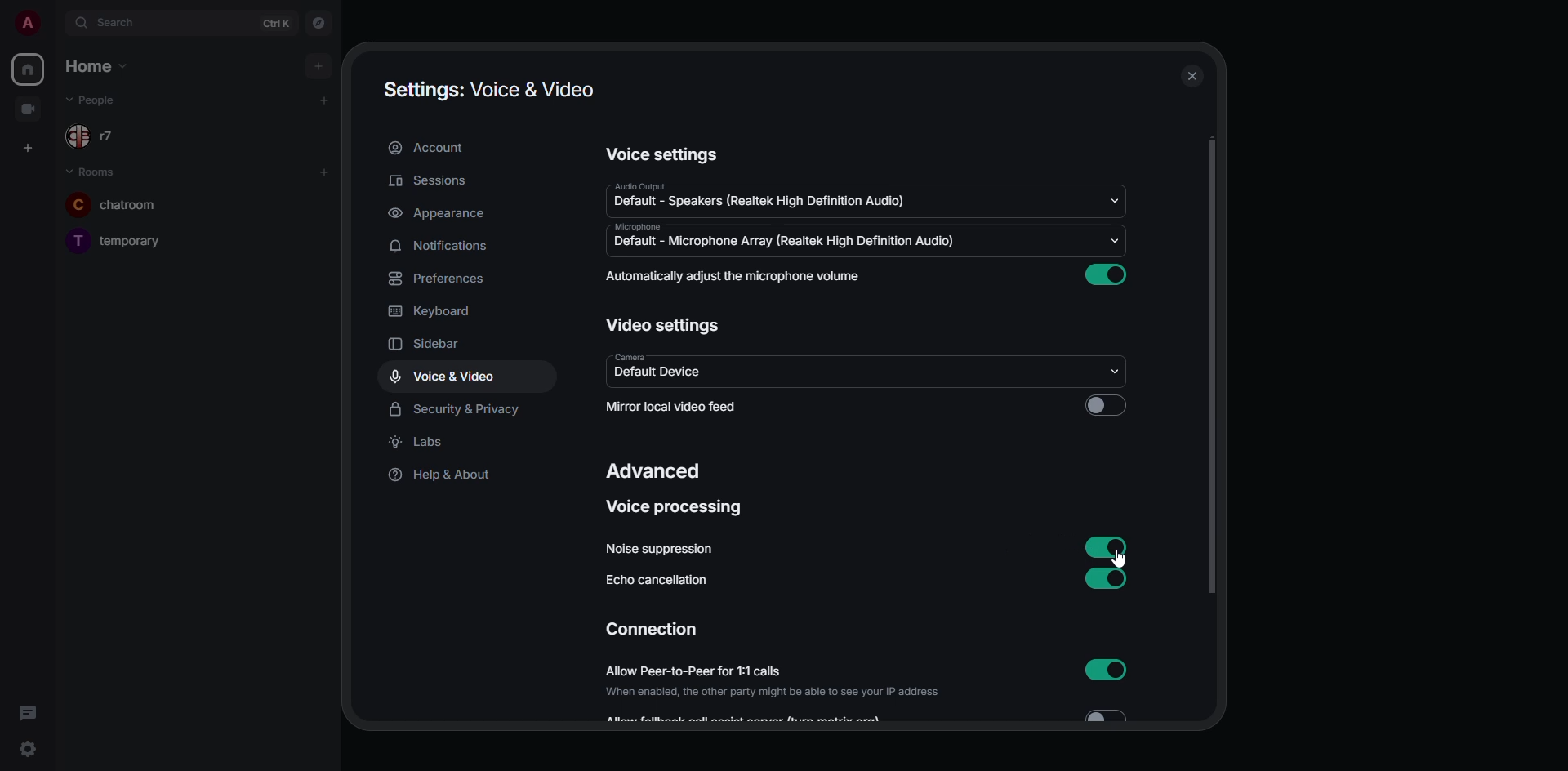 This screenshot has height=771, width=1568. I want to click on home, so click(29, 67).